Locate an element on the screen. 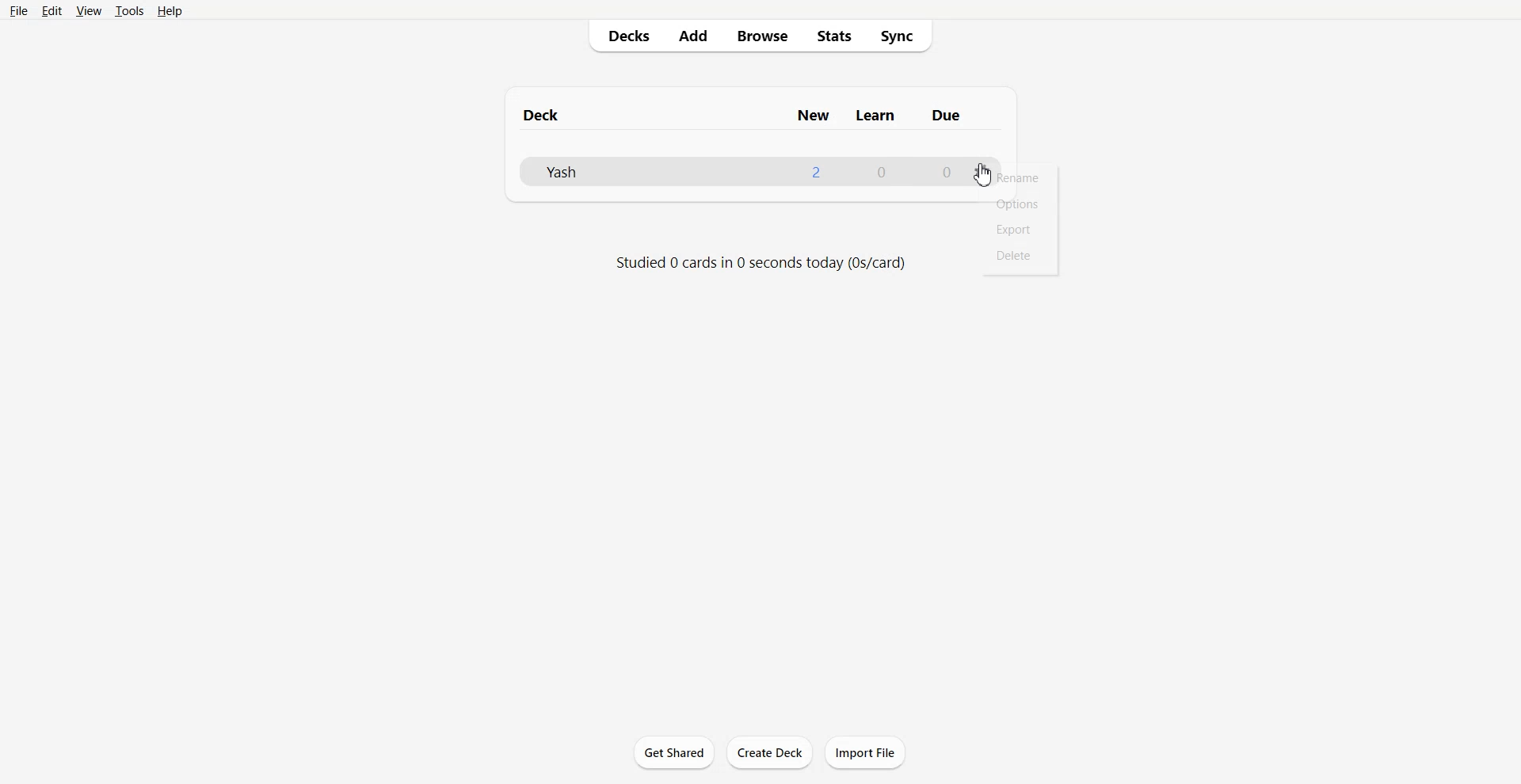  learn  is located at coordinates (877, 116).